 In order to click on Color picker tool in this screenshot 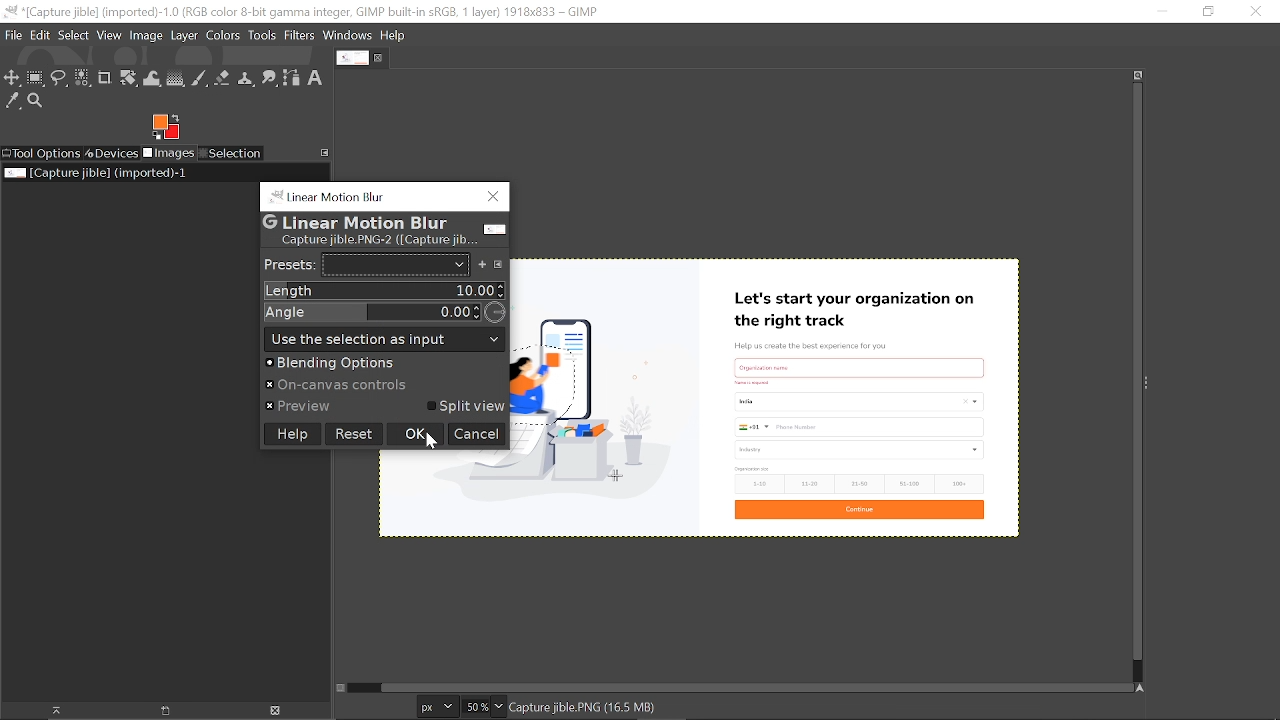, I will do `click(13, 102)`.